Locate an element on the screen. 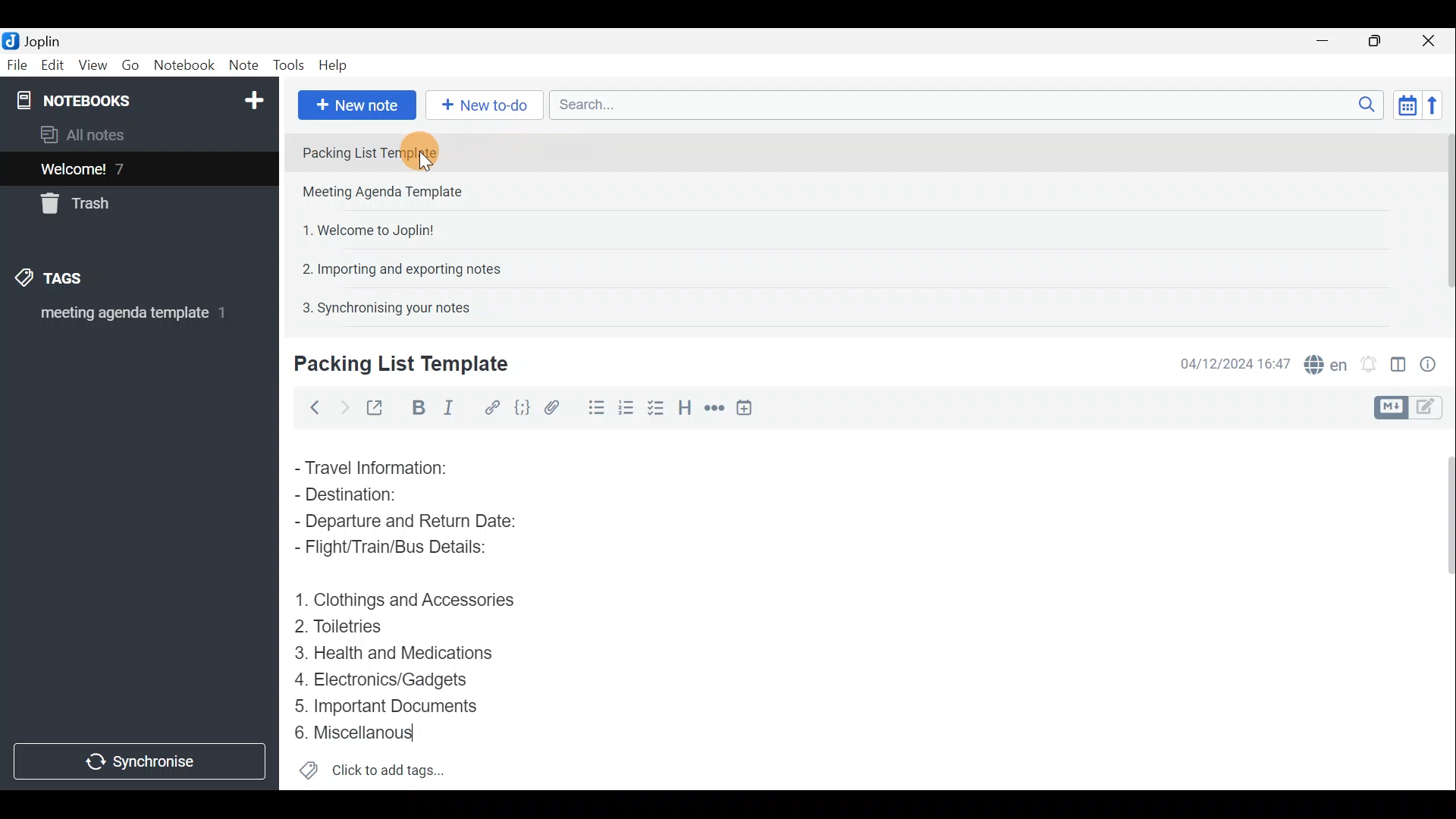  Packing List Template is located at coordinates (391, 152).